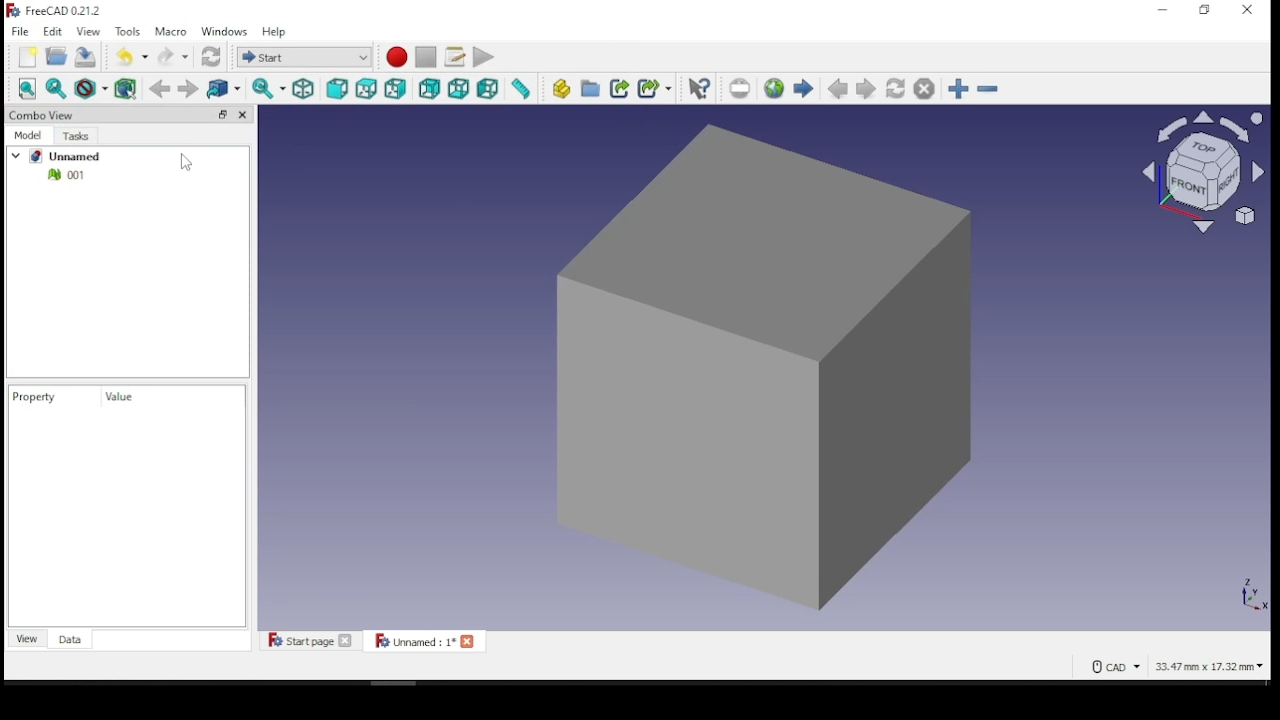 The image size is (1280, 720). I want to click on 001, so click(60, 175).